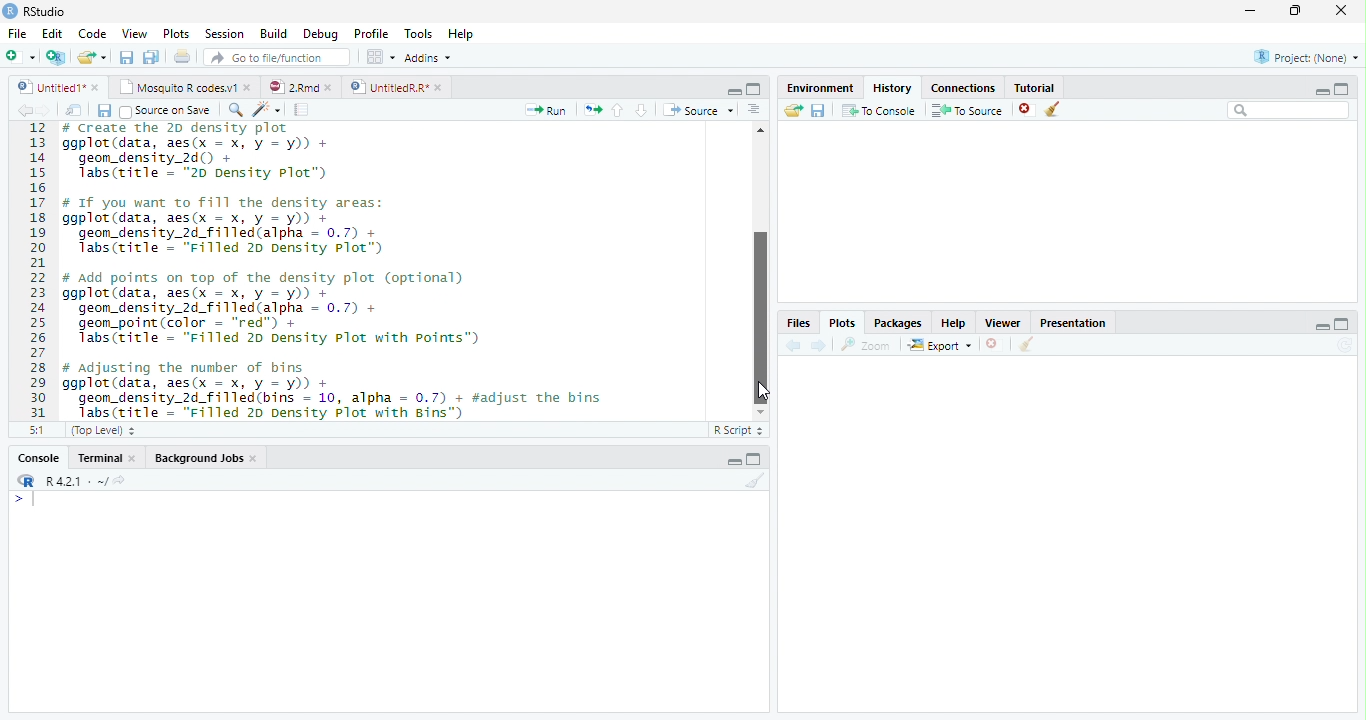 Image resolution: width=1366 pixels, height=720 pixels. I want to click on Source on Save, so click(163, 111).